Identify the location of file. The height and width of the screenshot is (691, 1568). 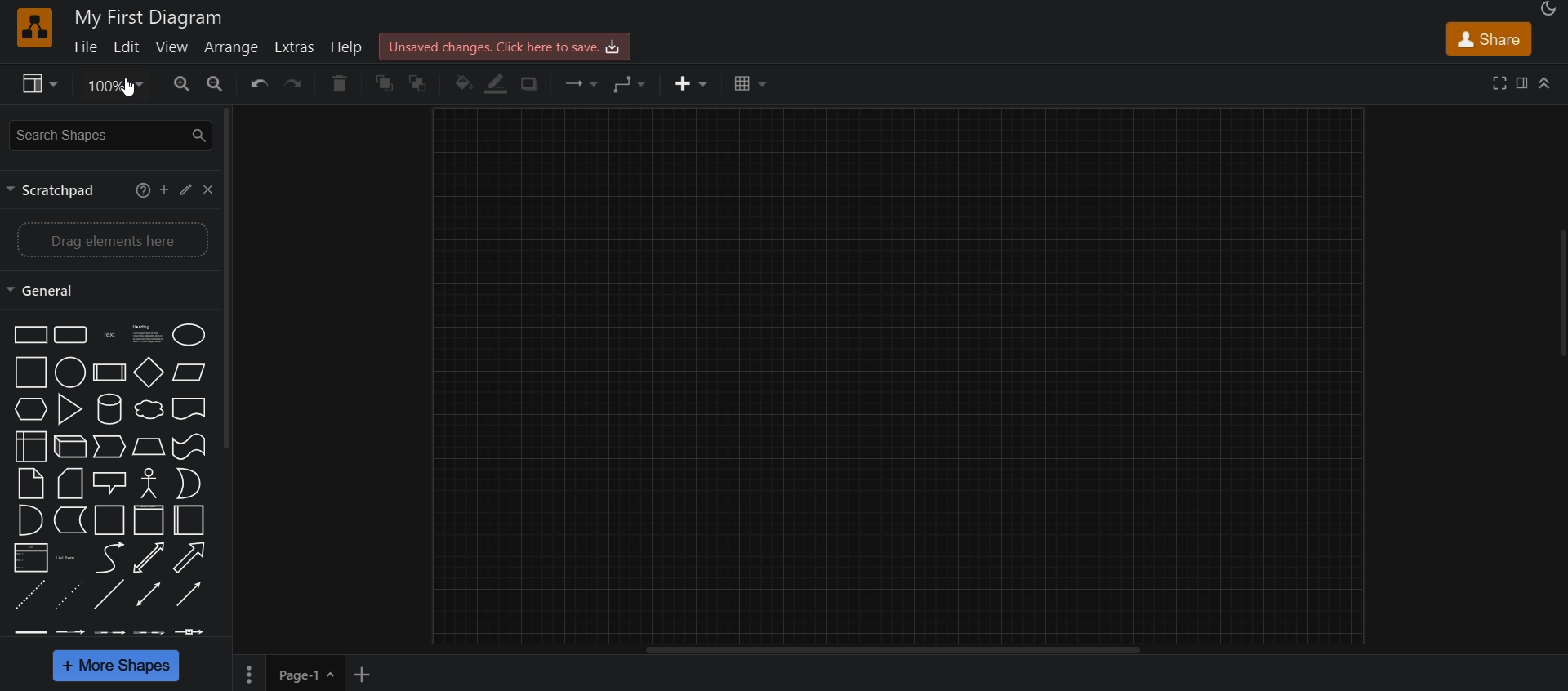
(87, 51).